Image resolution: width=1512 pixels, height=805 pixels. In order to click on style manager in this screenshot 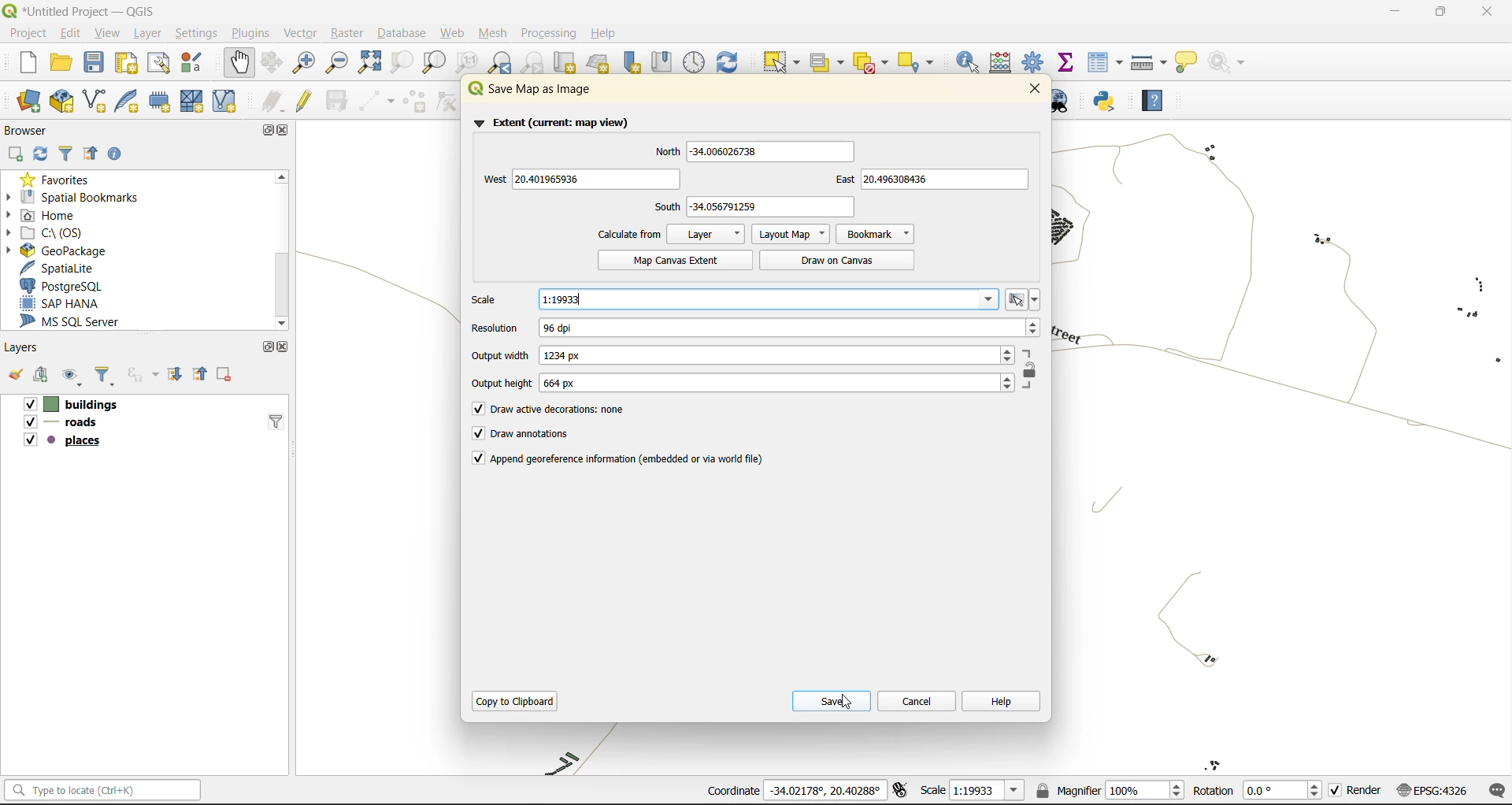, I will do `click(195, 63)`.